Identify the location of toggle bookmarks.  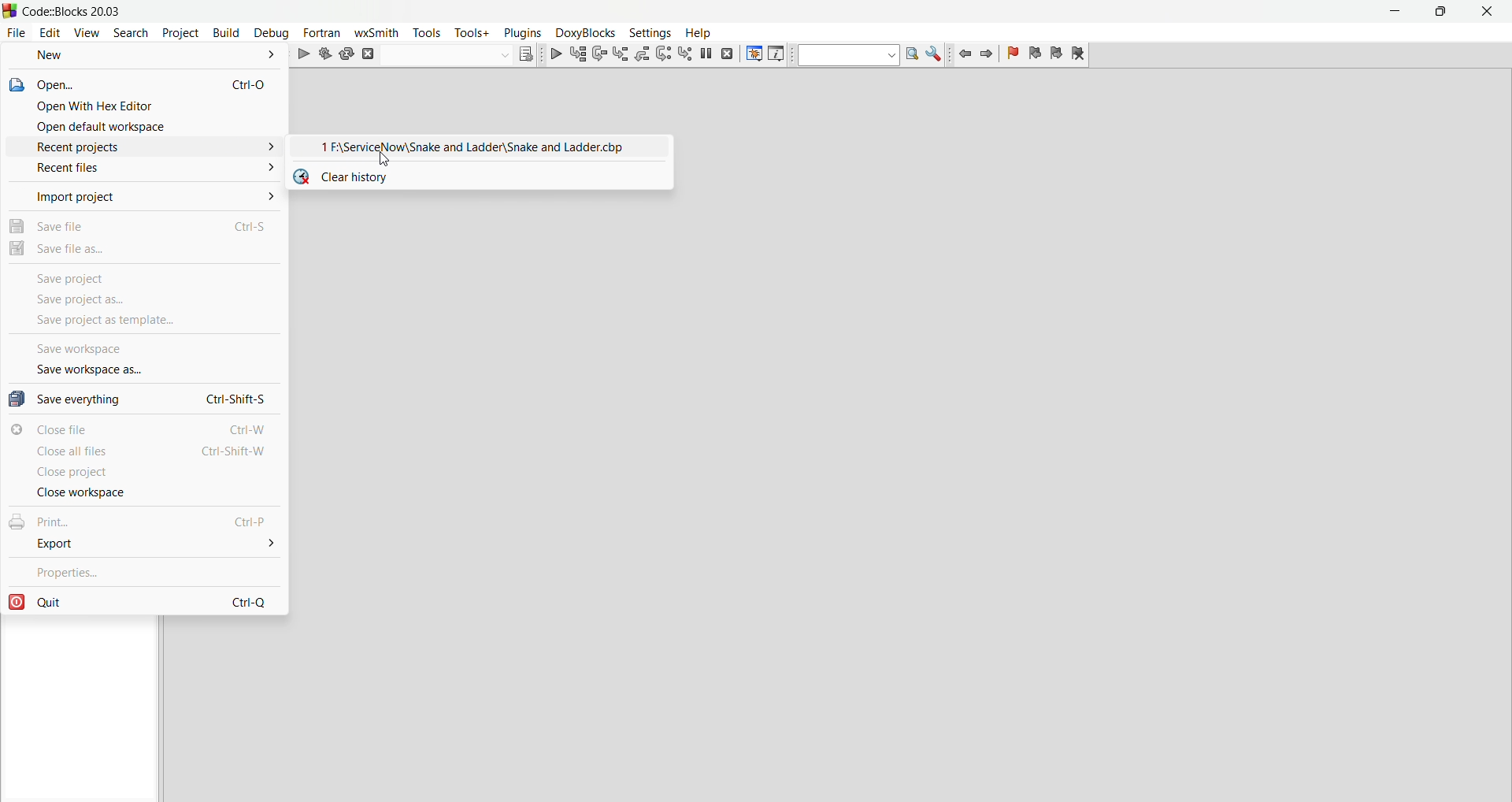
(1012, 54).